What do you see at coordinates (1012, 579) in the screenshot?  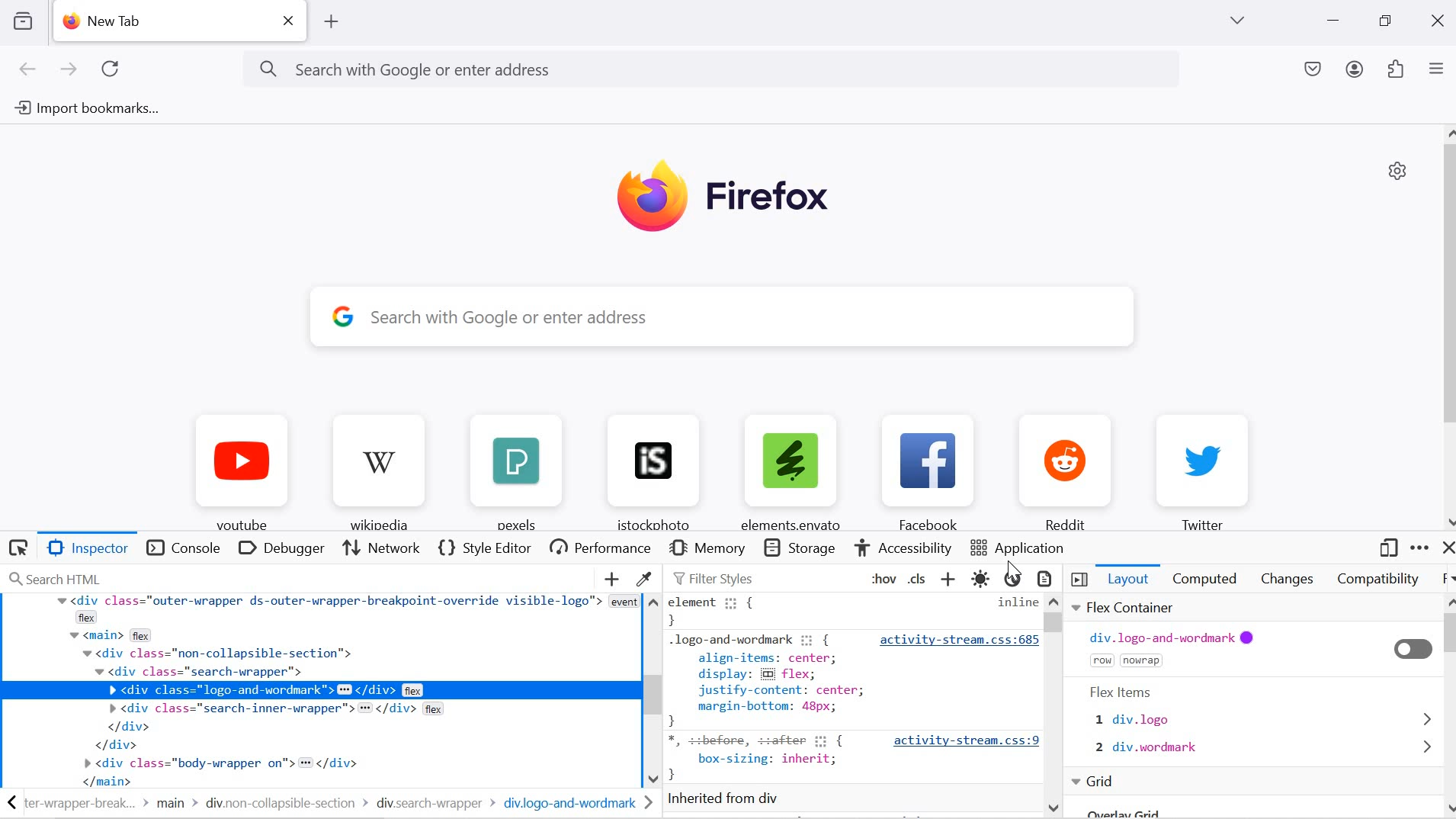 I see `toggle dark color` at bounding box center [1012, 579].